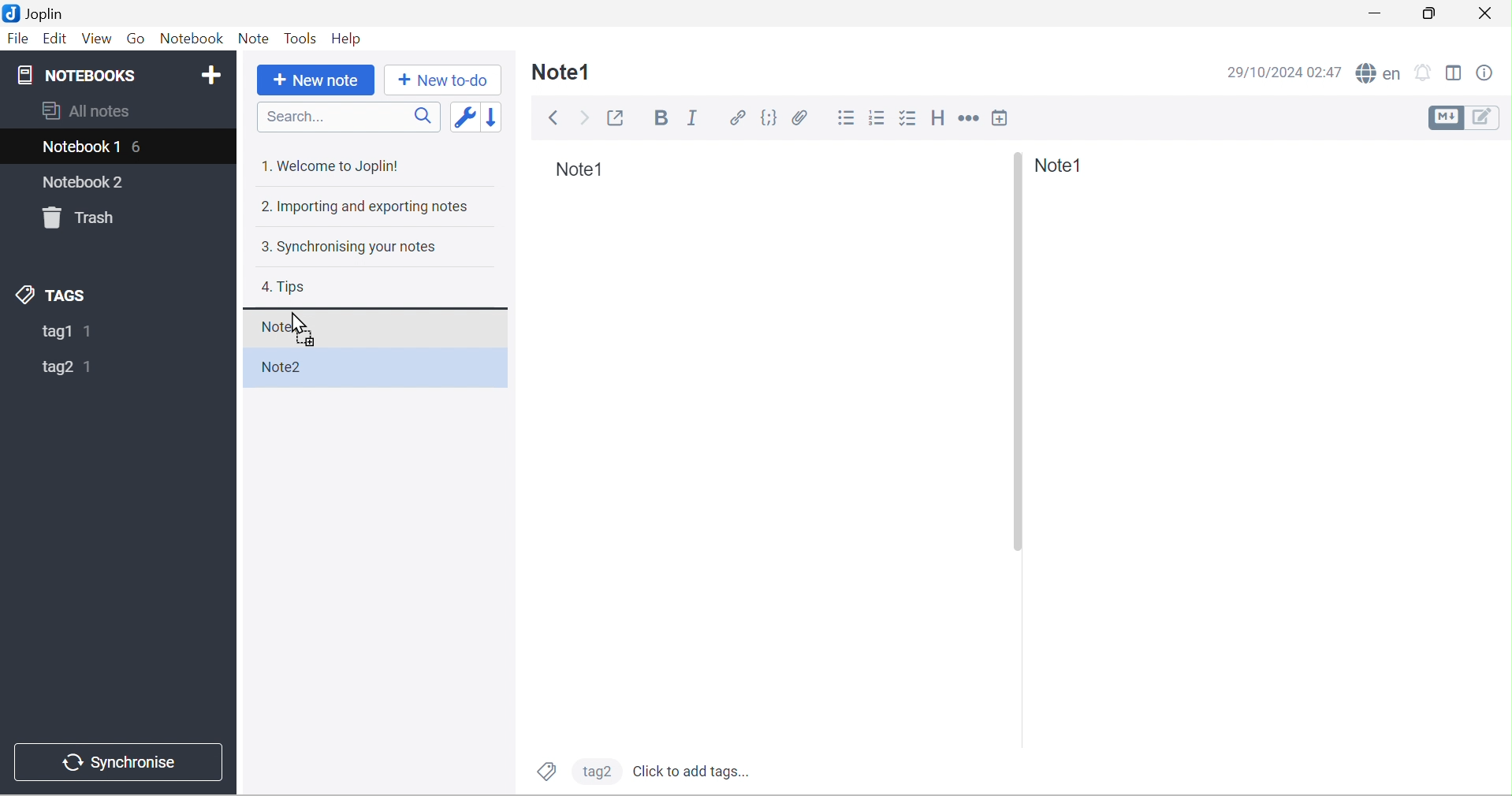 The height and width of the screenshot is (796, 1512). Describe the element at coordinates (298, 322) in the screenshot. I see `Cursor` at that location.